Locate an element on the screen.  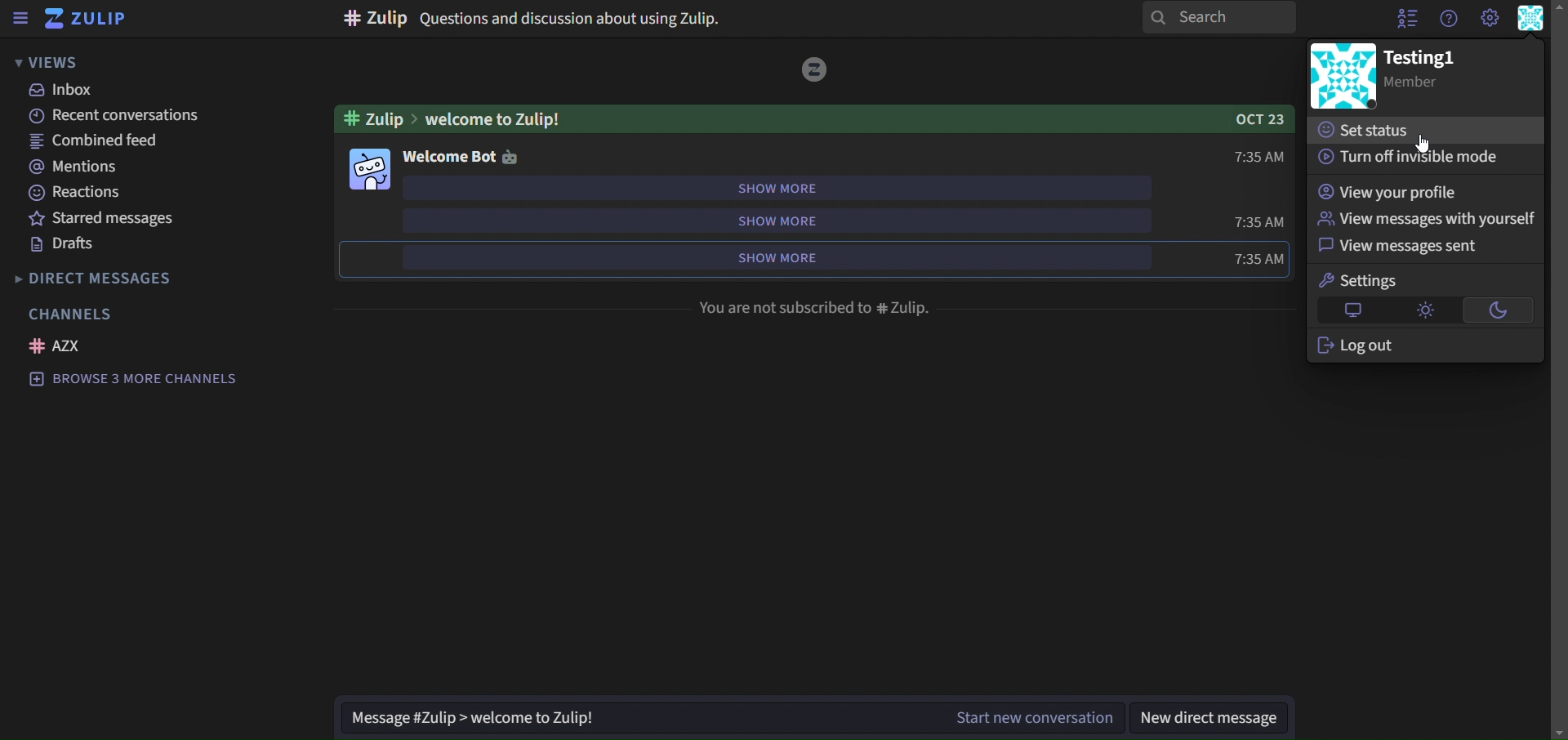
icon is located at coordinates (814, 68).